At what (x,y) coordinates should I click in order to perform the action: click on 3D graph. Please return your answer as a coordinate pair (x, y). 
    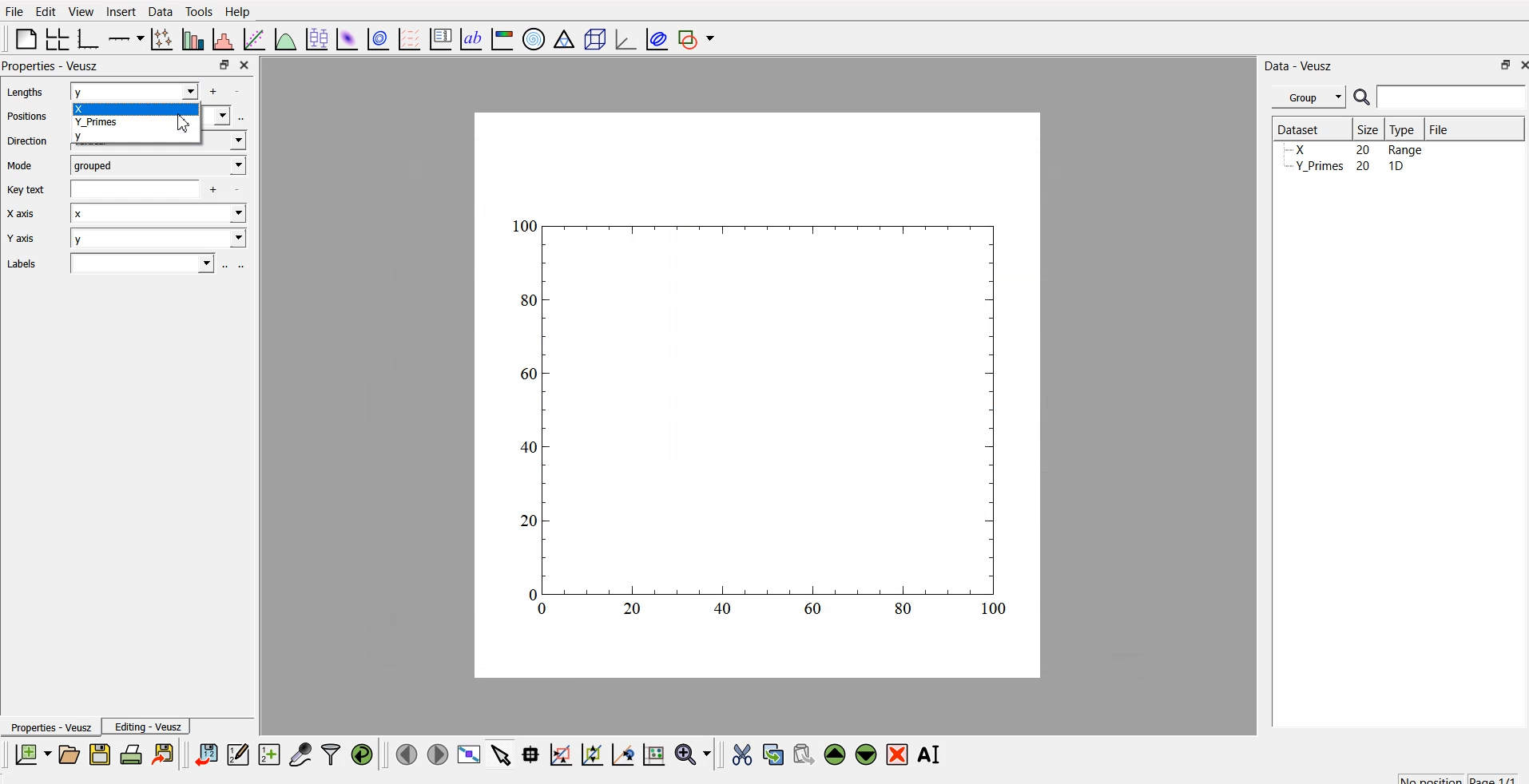
    Looking at the image, I should click on (624, 39).